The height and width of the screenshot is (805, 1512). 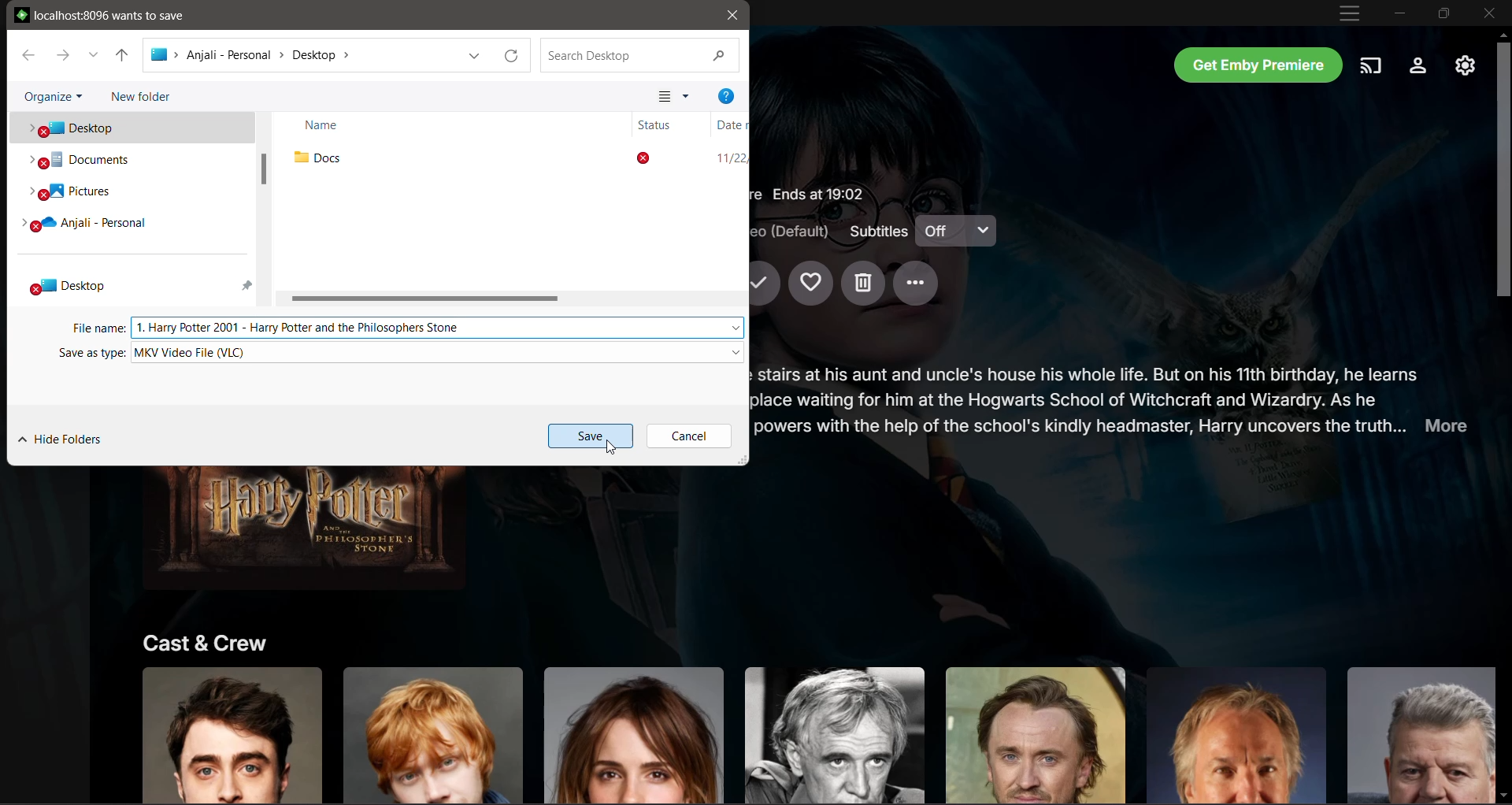 What do you see at coordinates (434, 733) in the screenshot?
I see `Click to know more about actor` at bounding box center [434, 733].